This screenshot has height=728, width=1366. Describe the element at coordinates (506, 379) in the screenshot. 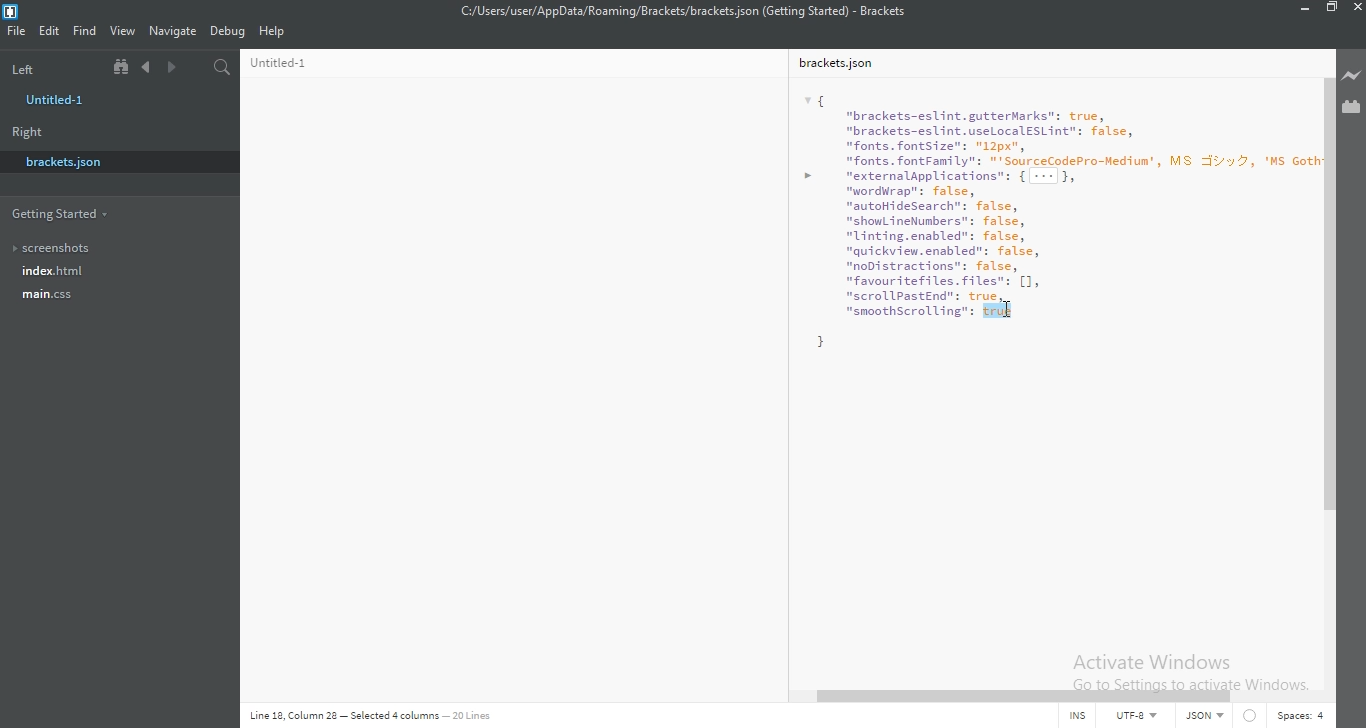

I see `Untitled-1` at that location.